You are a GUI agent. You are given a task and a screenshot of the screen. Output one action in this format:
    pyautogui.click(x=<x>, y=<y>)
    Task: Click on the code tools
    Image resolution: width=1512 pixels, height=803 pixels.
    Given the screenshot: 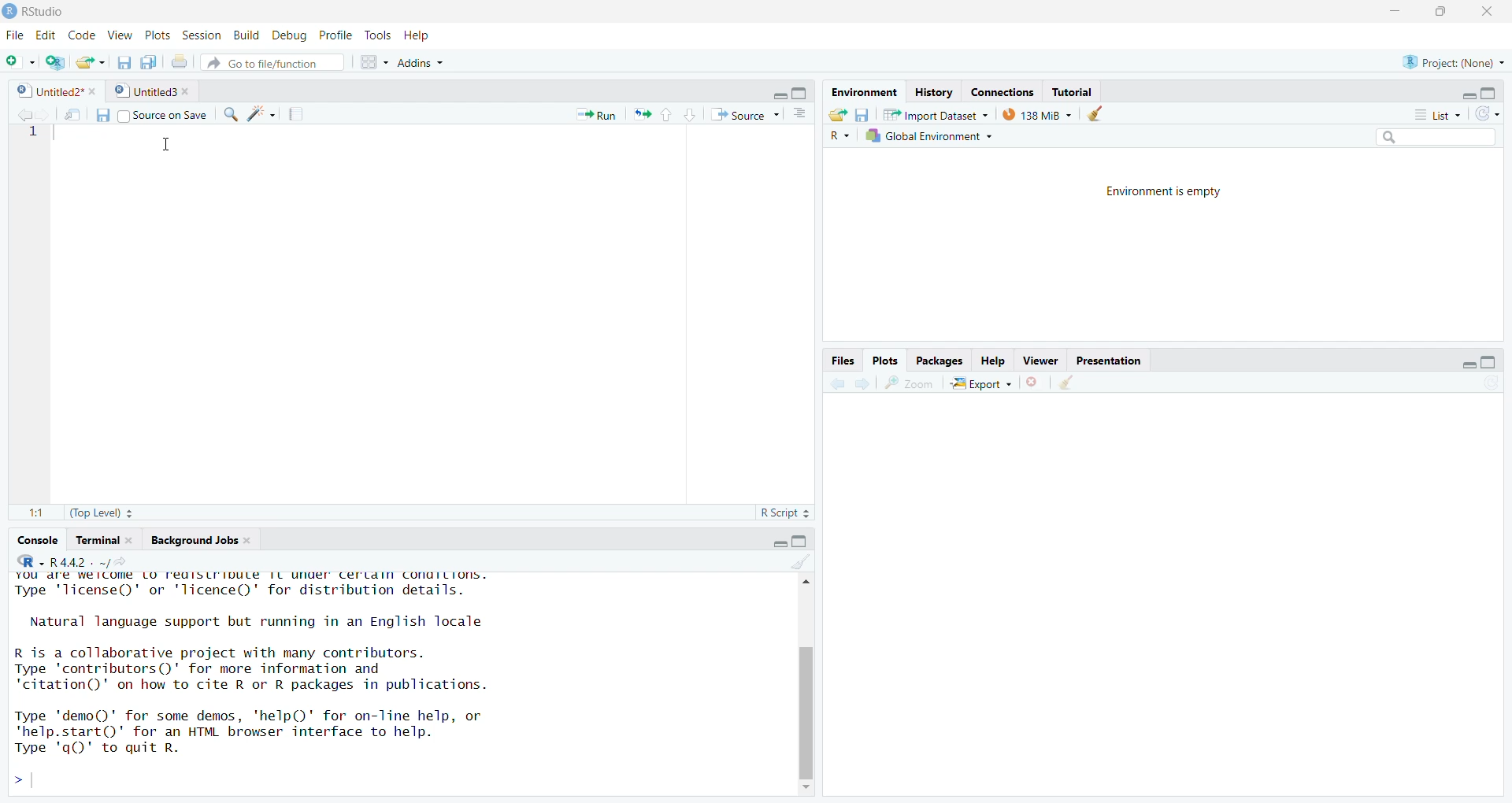 What is the action you would take?
    pyautogui.click(x=260, y=114)
    